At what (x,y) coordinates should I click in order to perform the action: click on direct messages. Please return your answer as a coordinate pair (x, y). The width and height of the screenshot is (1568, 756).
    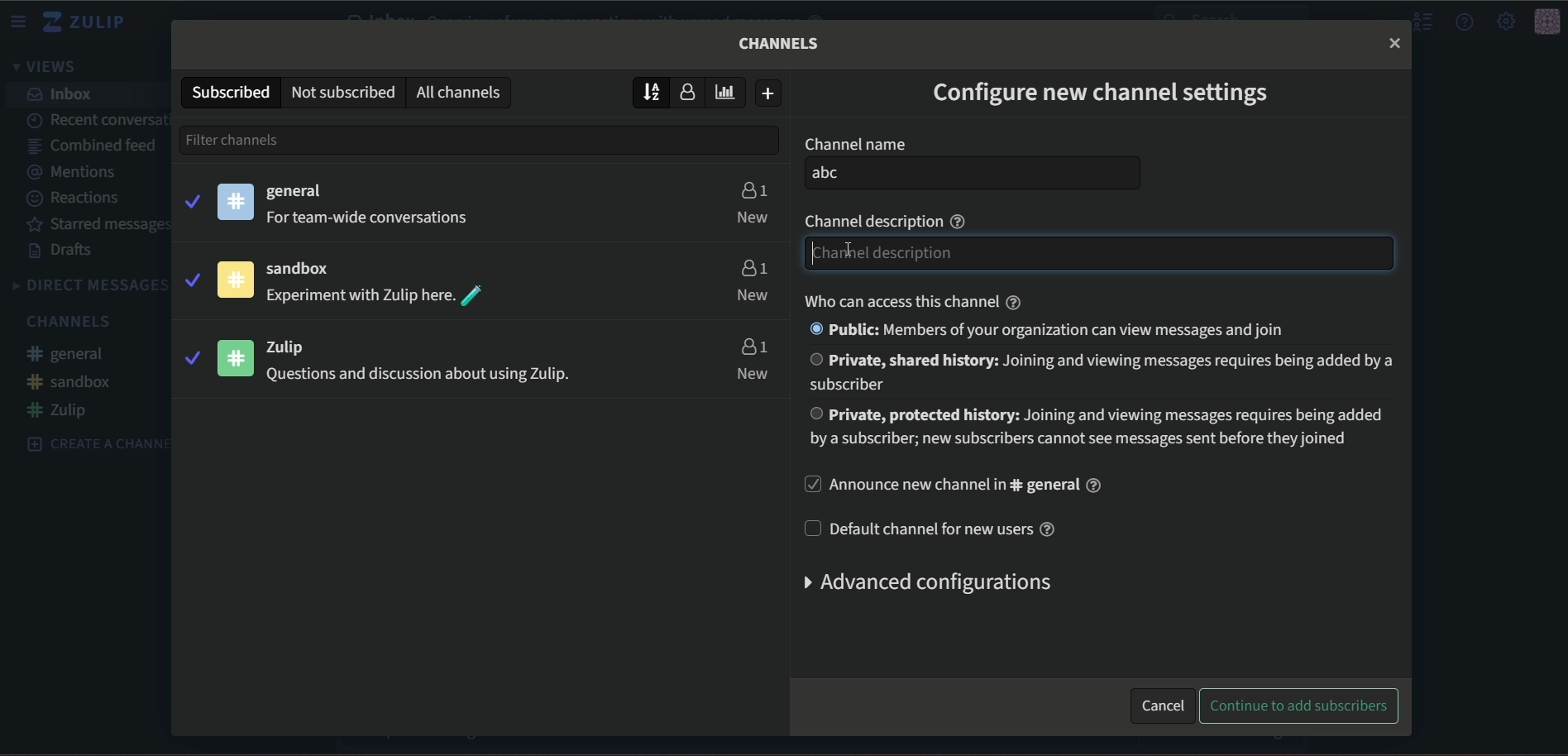
    Looking at the image, I should click on (88, 285).